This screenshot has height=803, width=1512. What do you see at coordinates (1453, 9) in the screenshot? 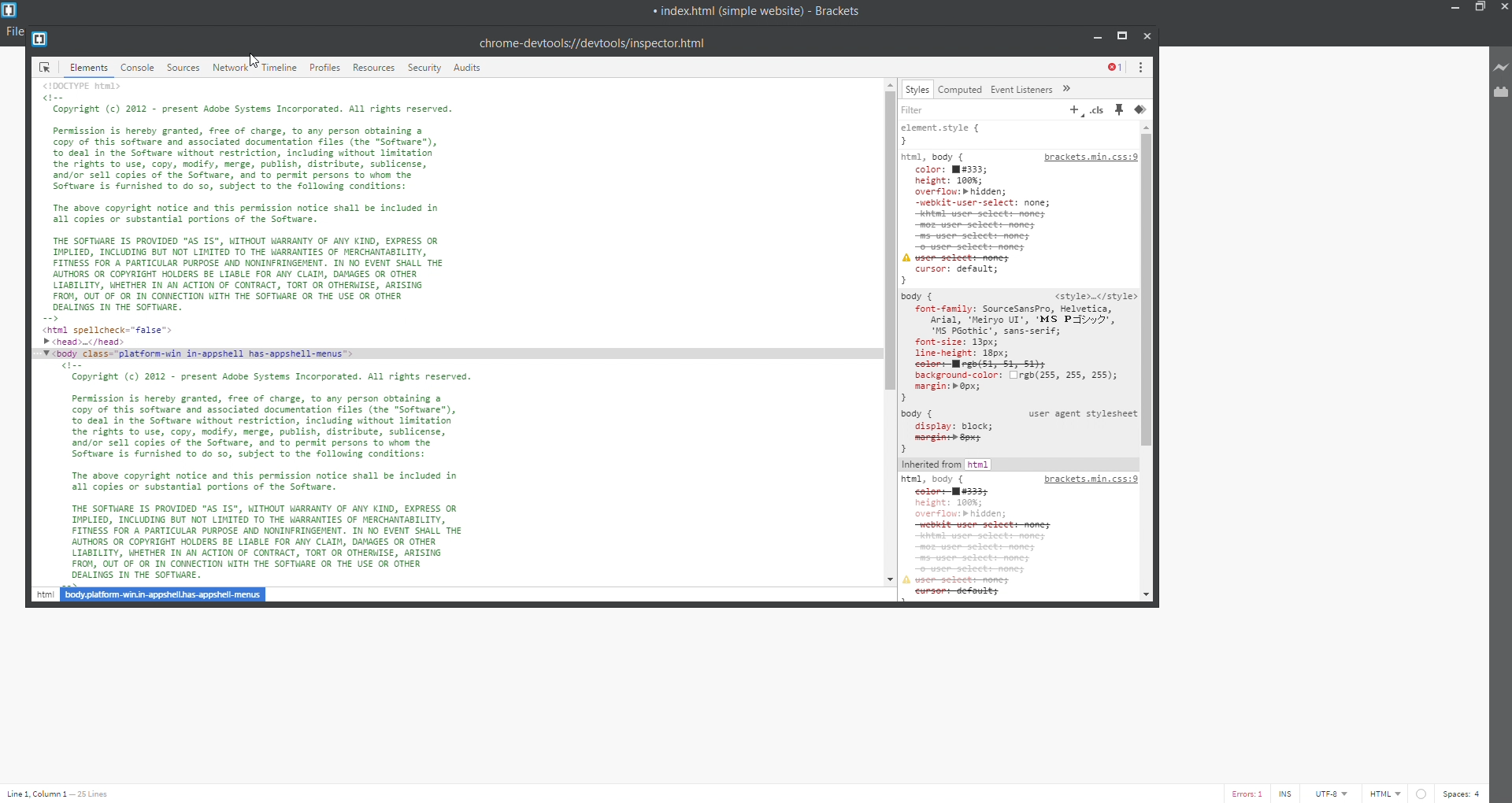
I see `minimize` at bounding box center [1453, 9].